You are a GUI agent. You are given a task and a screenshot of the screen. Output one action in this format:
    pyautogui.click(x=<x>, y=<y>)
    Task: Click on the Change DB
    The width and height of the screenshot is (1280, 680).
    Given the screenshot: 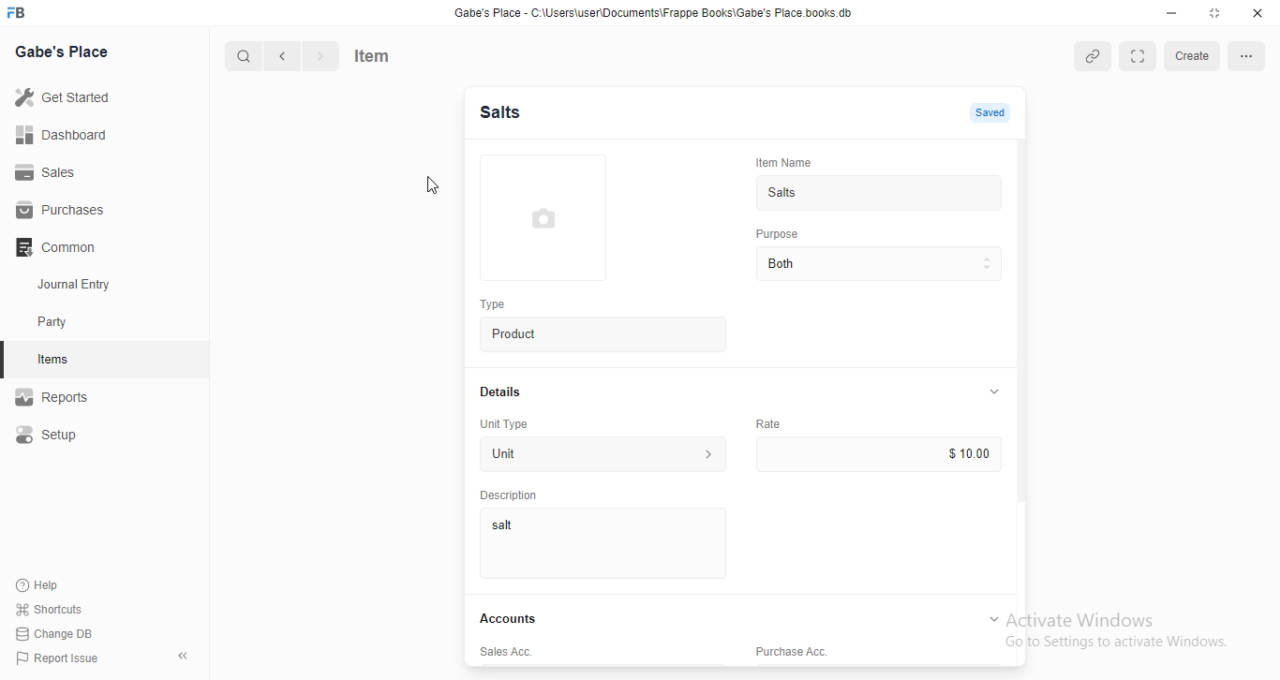 What is the action you would take?
    pyautogui.click(x=60, y=631)
    